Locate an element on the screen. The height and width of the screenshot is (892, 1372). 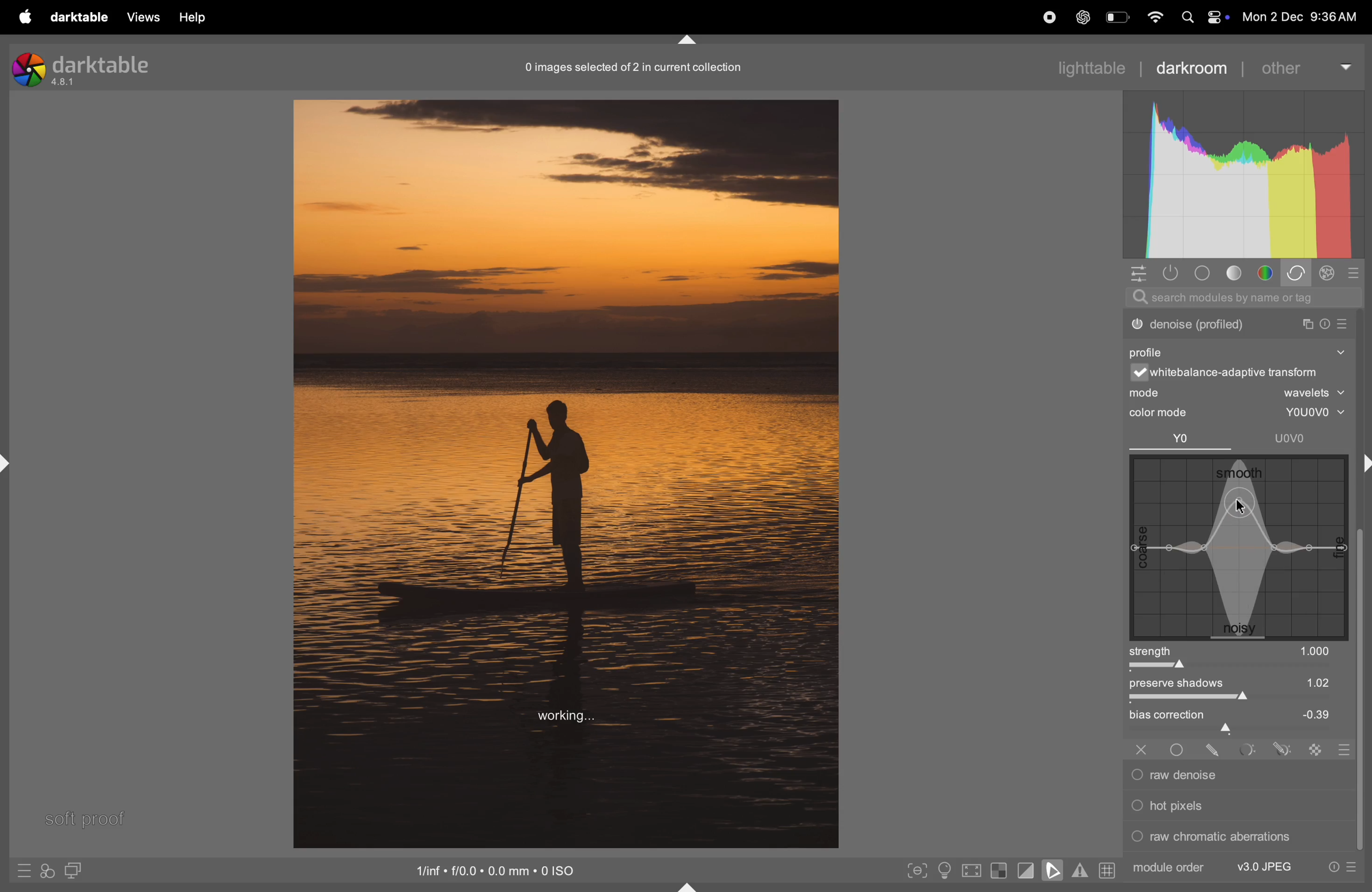
toggle bar is located at coordinates (1227, 667).